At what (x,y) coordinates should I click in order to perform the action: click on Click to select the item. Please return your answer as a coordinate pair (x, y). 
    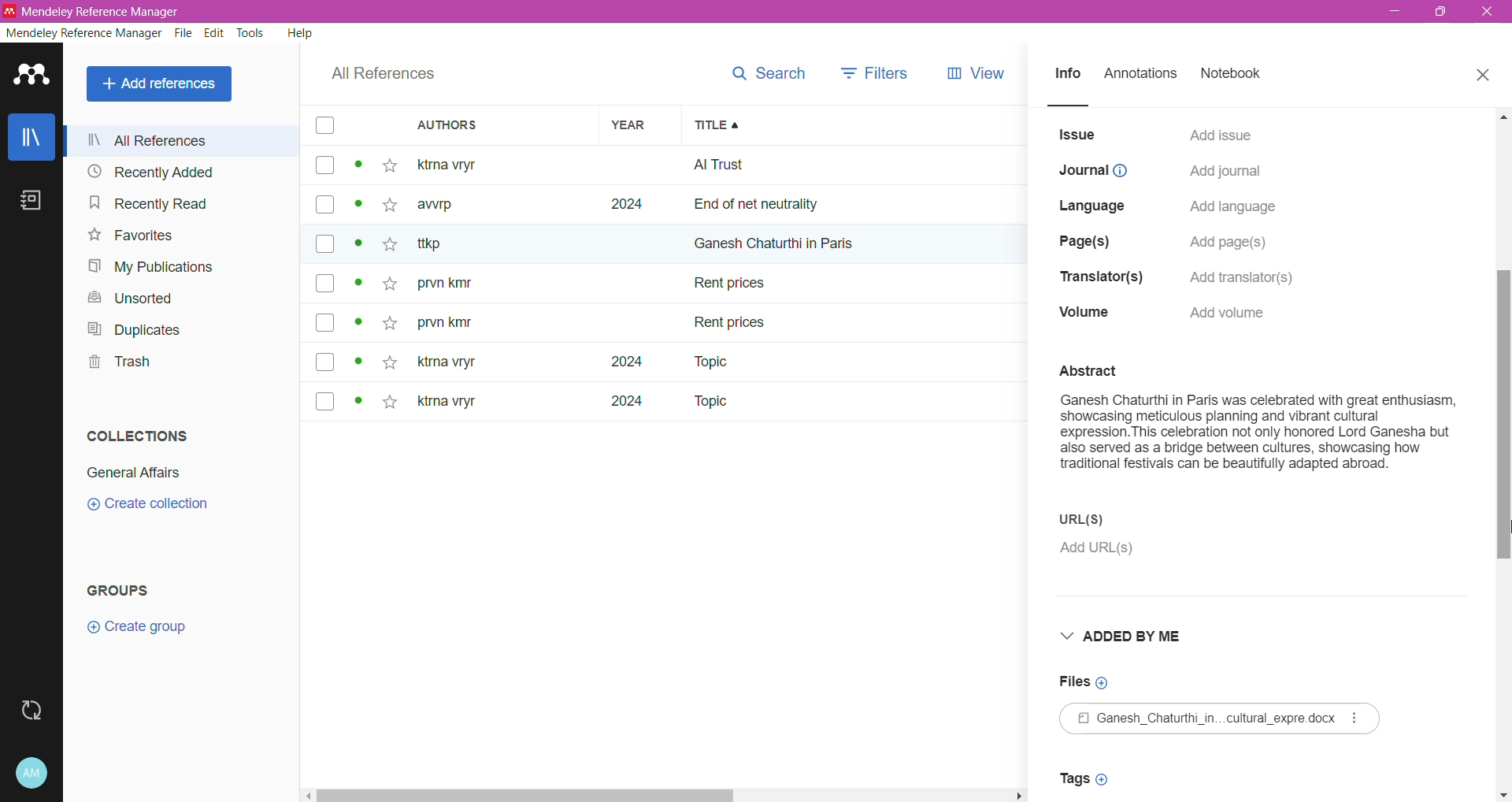
    Looking at the image, I should click on (324, 266).